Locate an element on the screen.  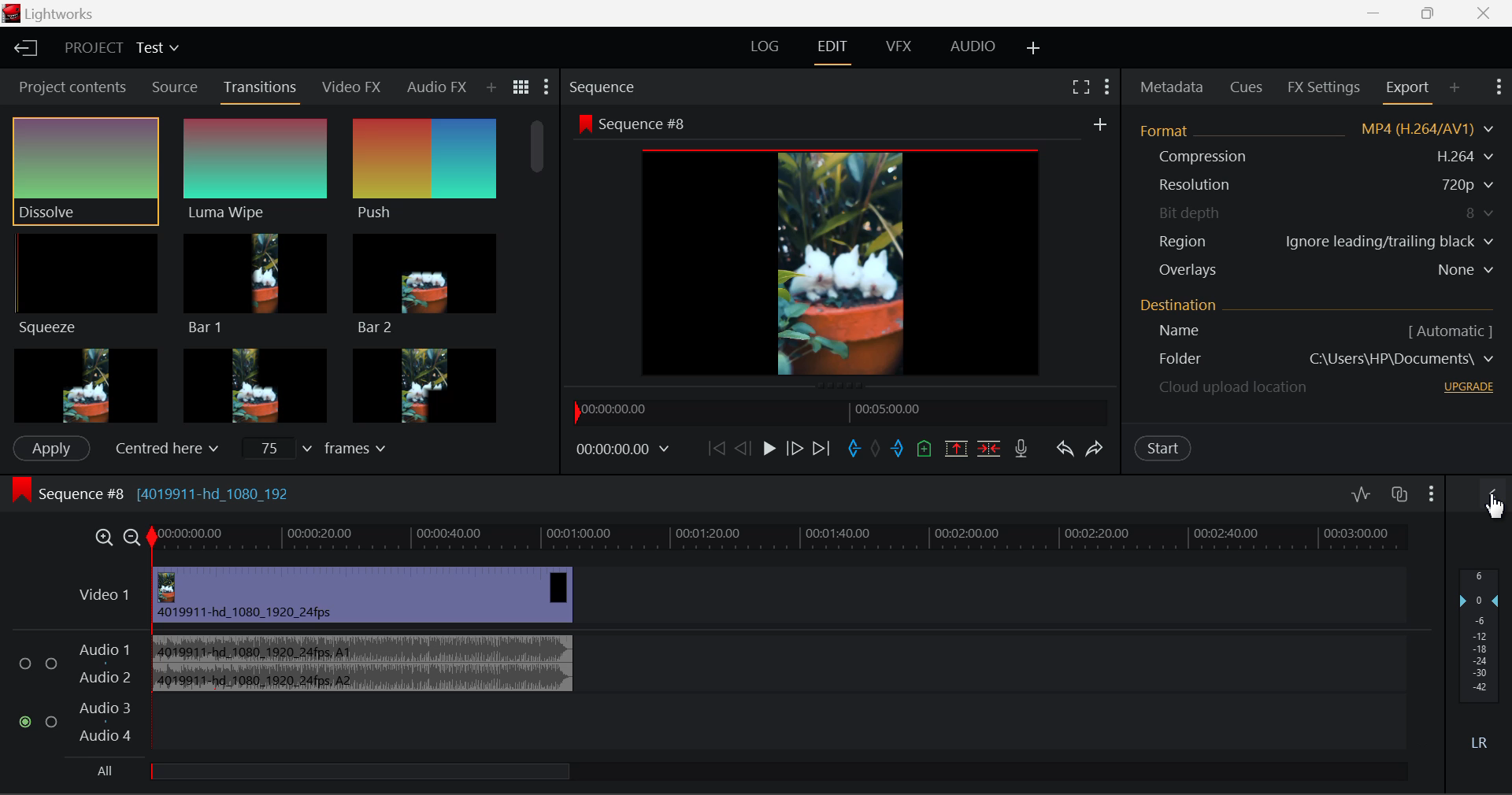
Back to Homepage is located at coordinates (23, 47).